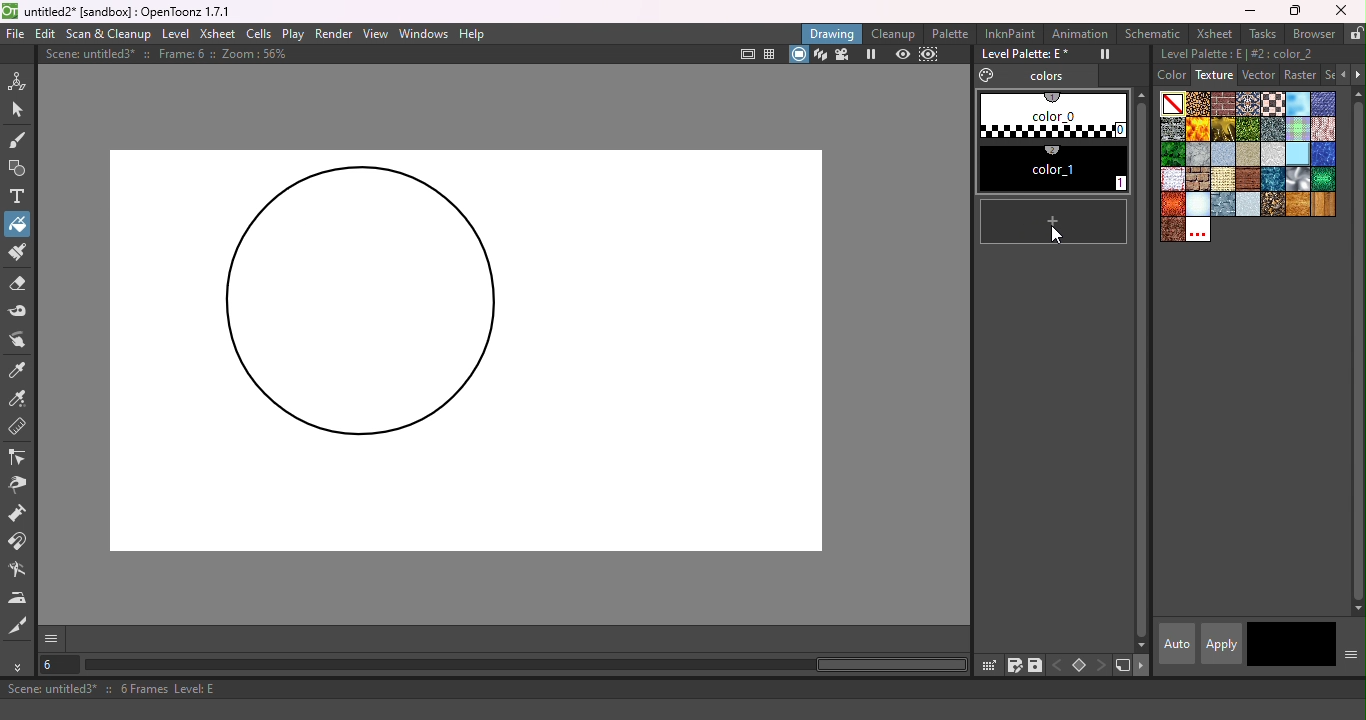  I want to click on Render, so click(336, 34).